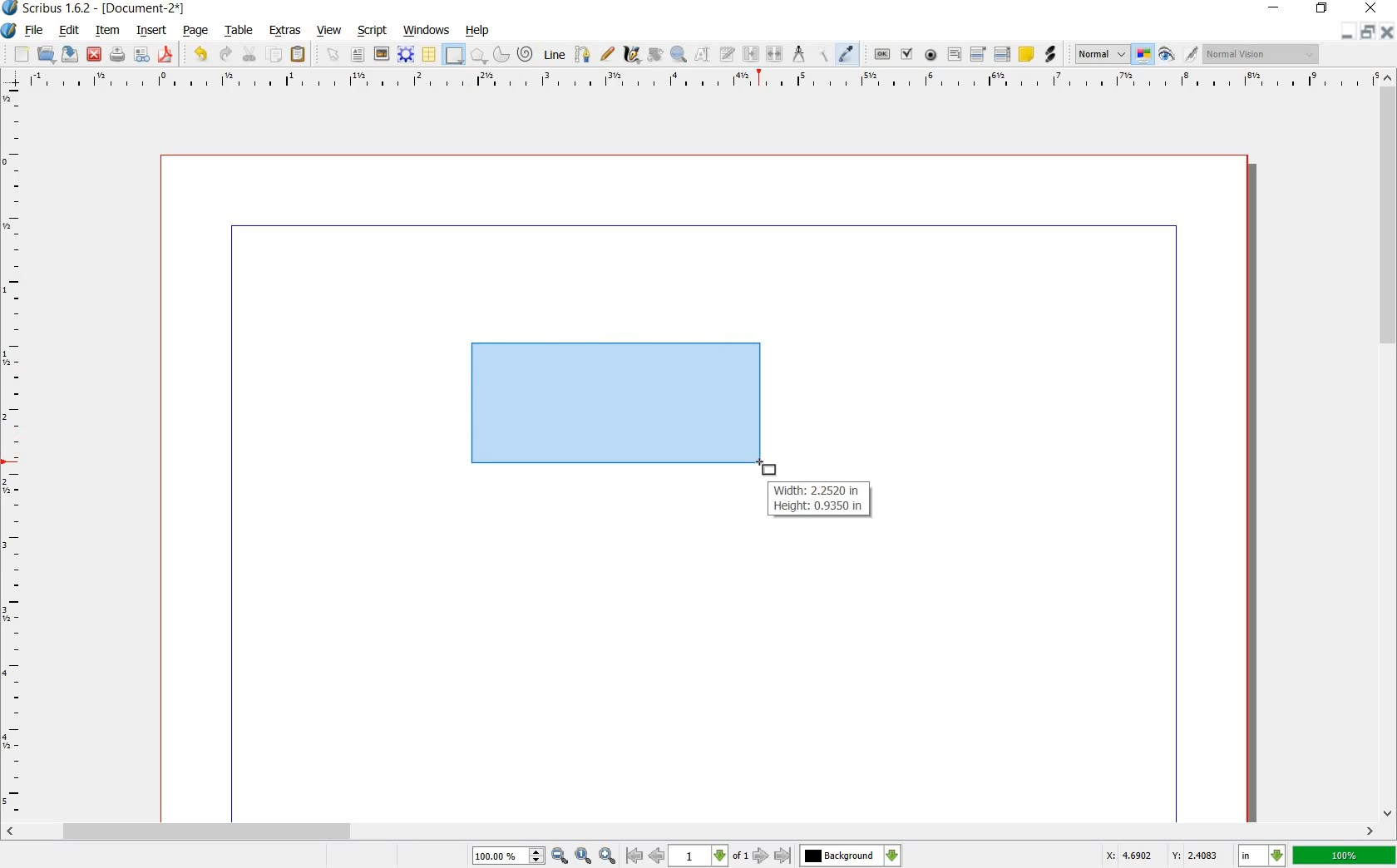 This screenshot has height=868, width=1397. What do you see at coordinates (106, 31) in the screenshot?
I see `ITEM` at bounding box center [106, 31].